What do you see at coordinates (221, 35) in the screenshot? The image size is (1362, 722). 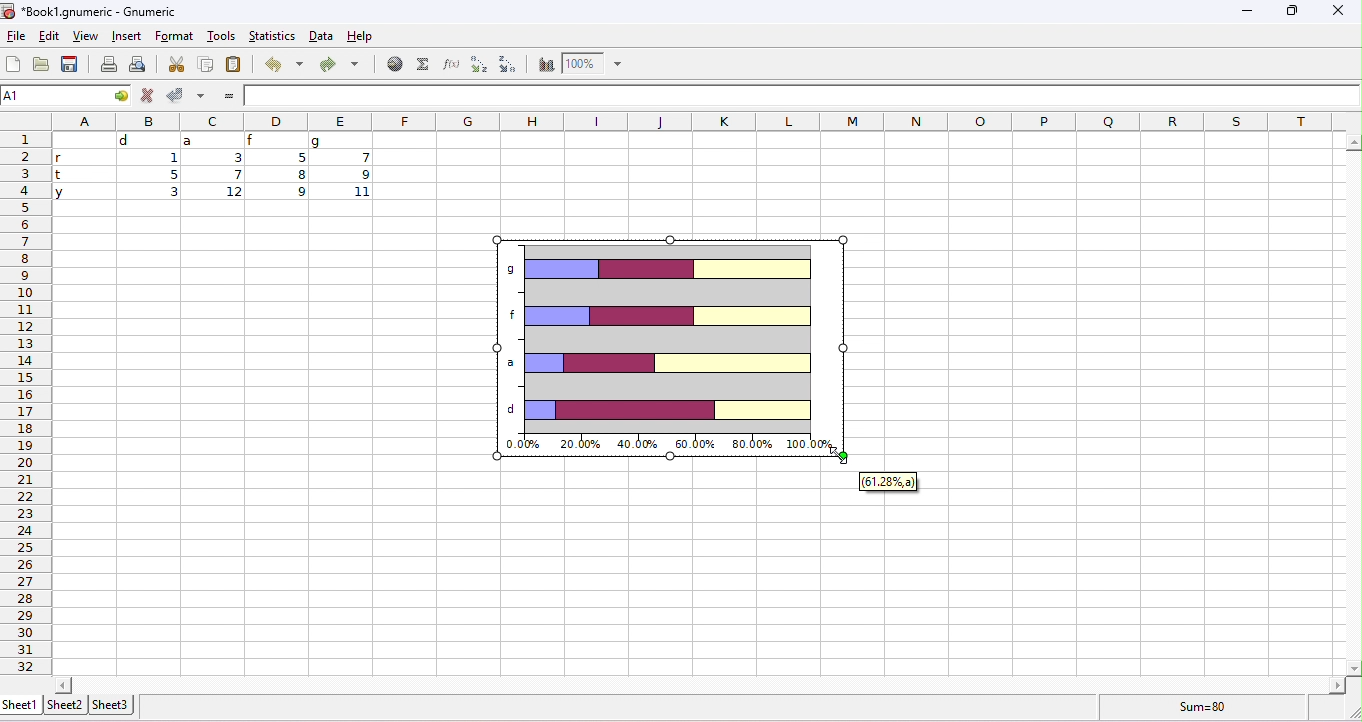 I see `tools` at bounding box center [221, 35].